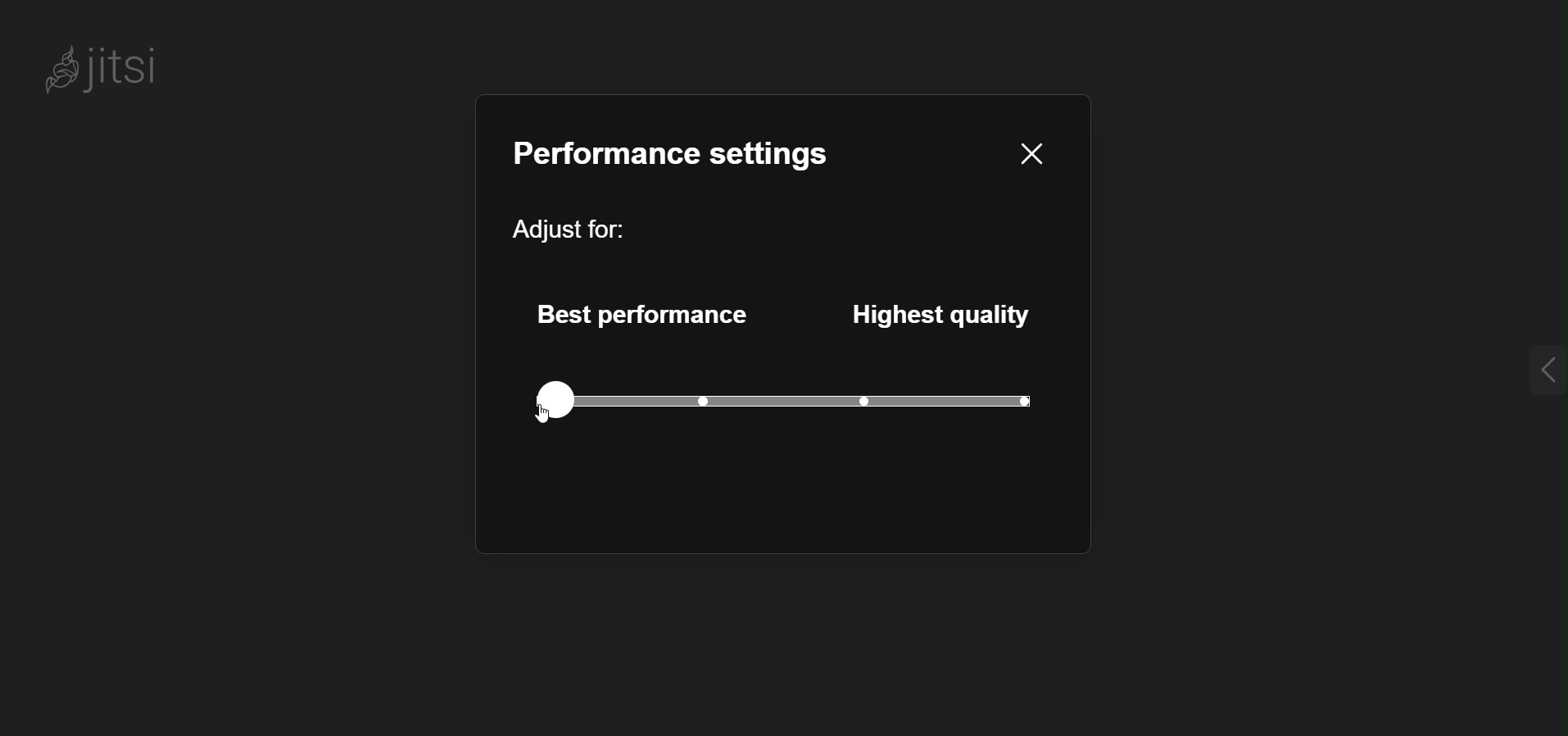  I want to click on cursor, so click(530, 421).